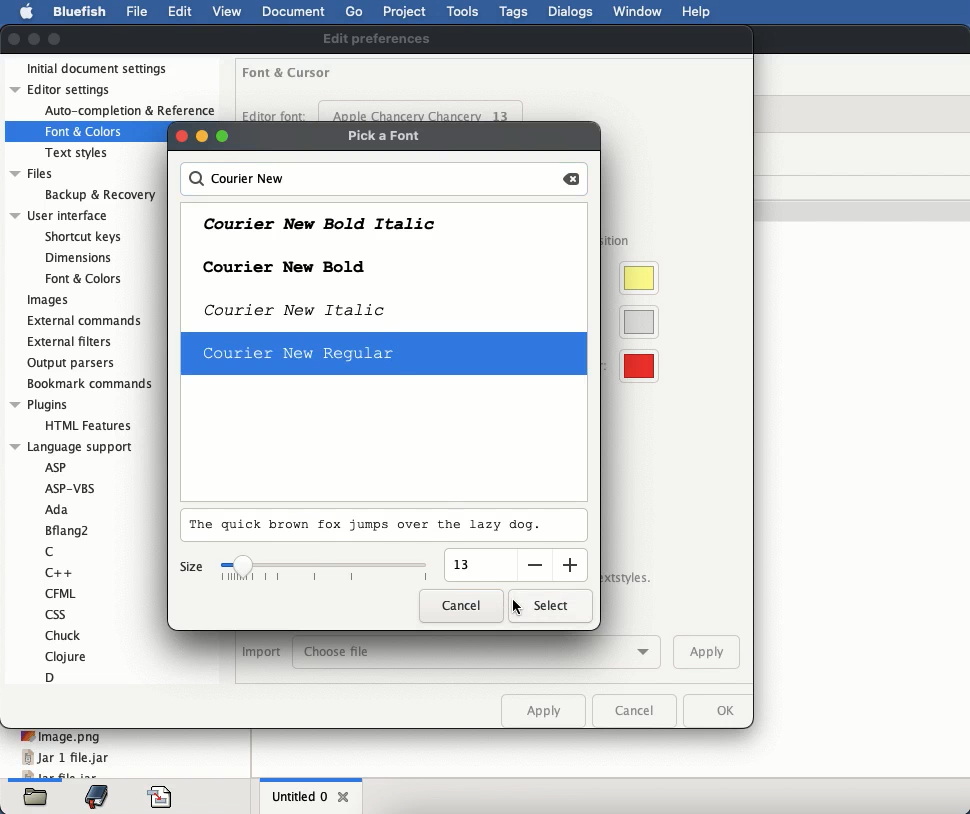 The height and width of the screenshot is (814, 970). Describe the element at coordinates (109, 100) in the screenshot. I see `editor settings` at that location.